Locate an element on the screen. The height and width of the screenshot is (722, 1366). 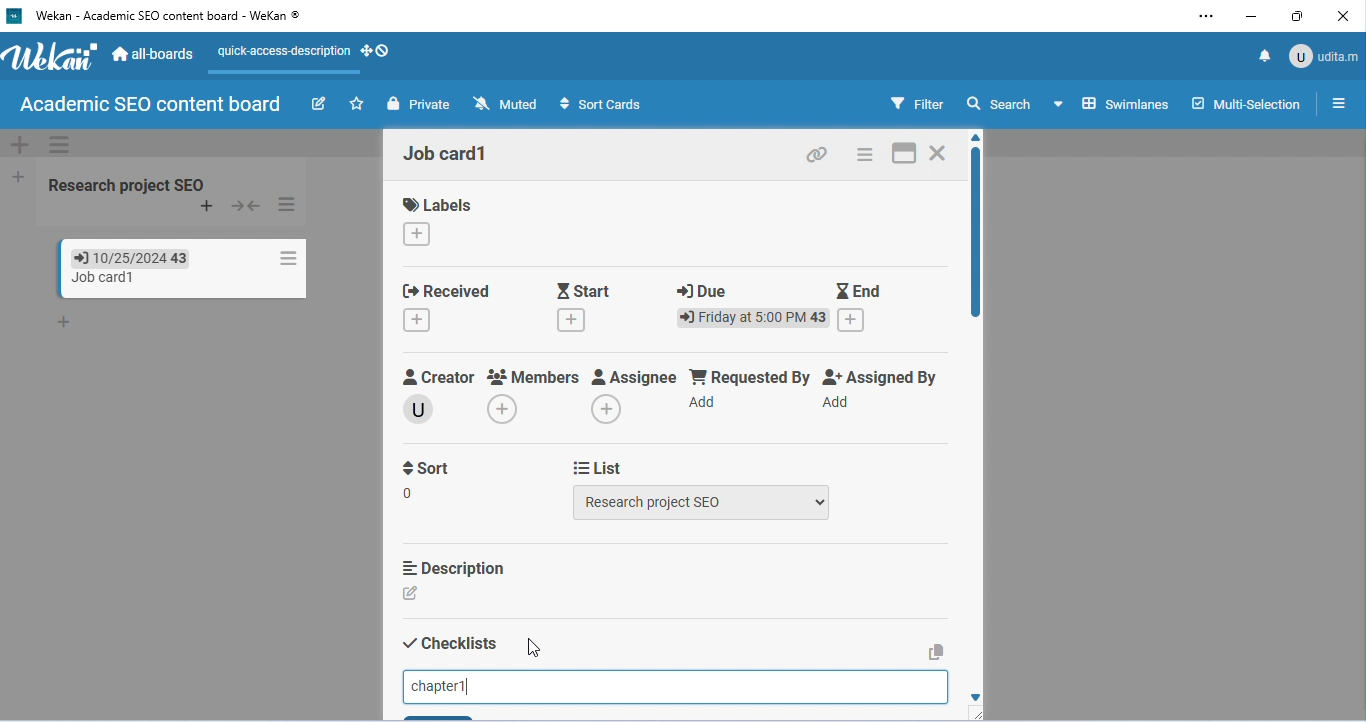
add card to bottom of list is located at coordinates (67, 323).